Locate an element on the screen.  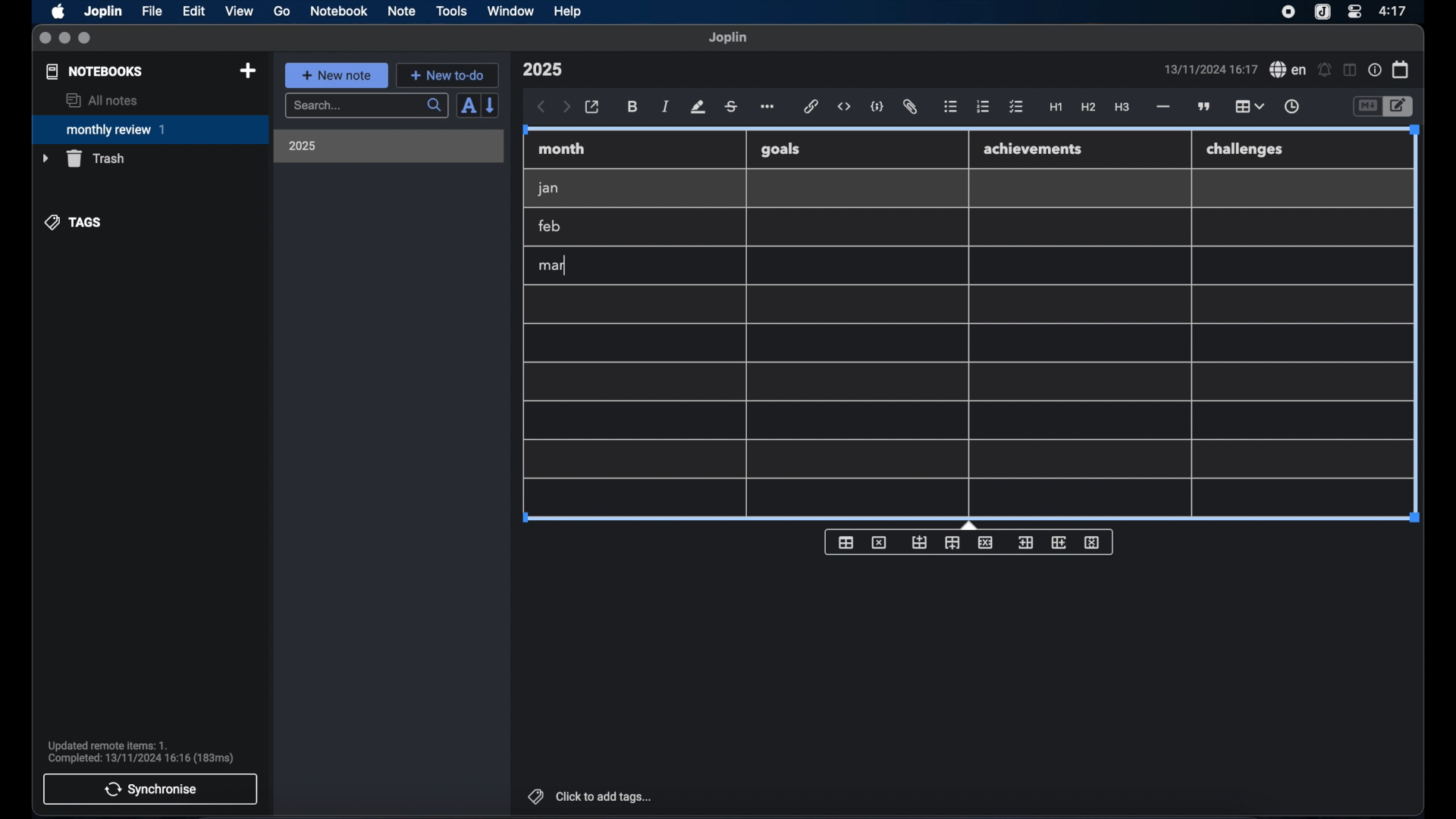
time is located at coordinates (1395, 11).